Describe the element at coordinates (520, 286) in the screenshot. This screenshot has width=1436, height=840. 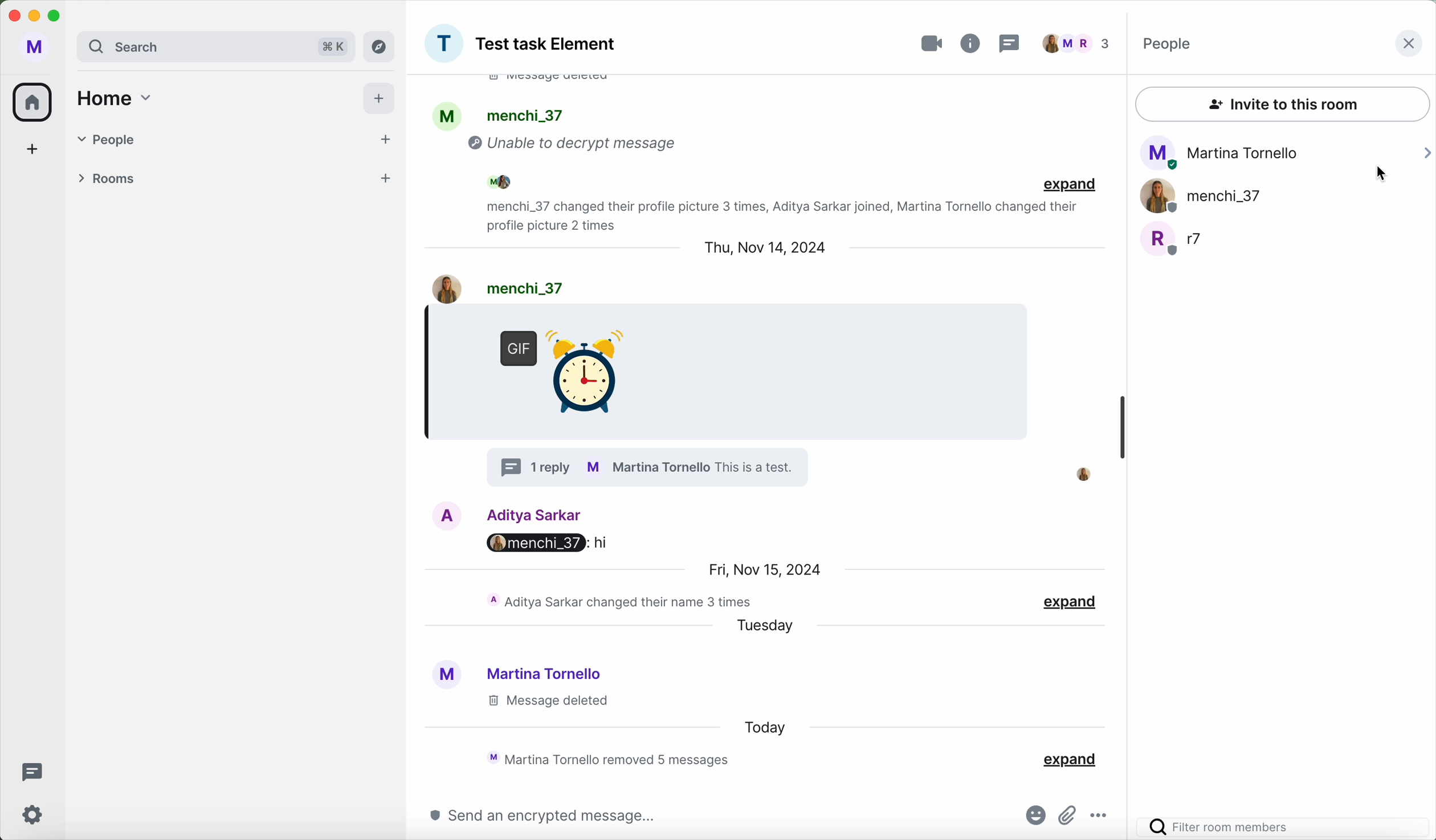
I see `user` at that location.